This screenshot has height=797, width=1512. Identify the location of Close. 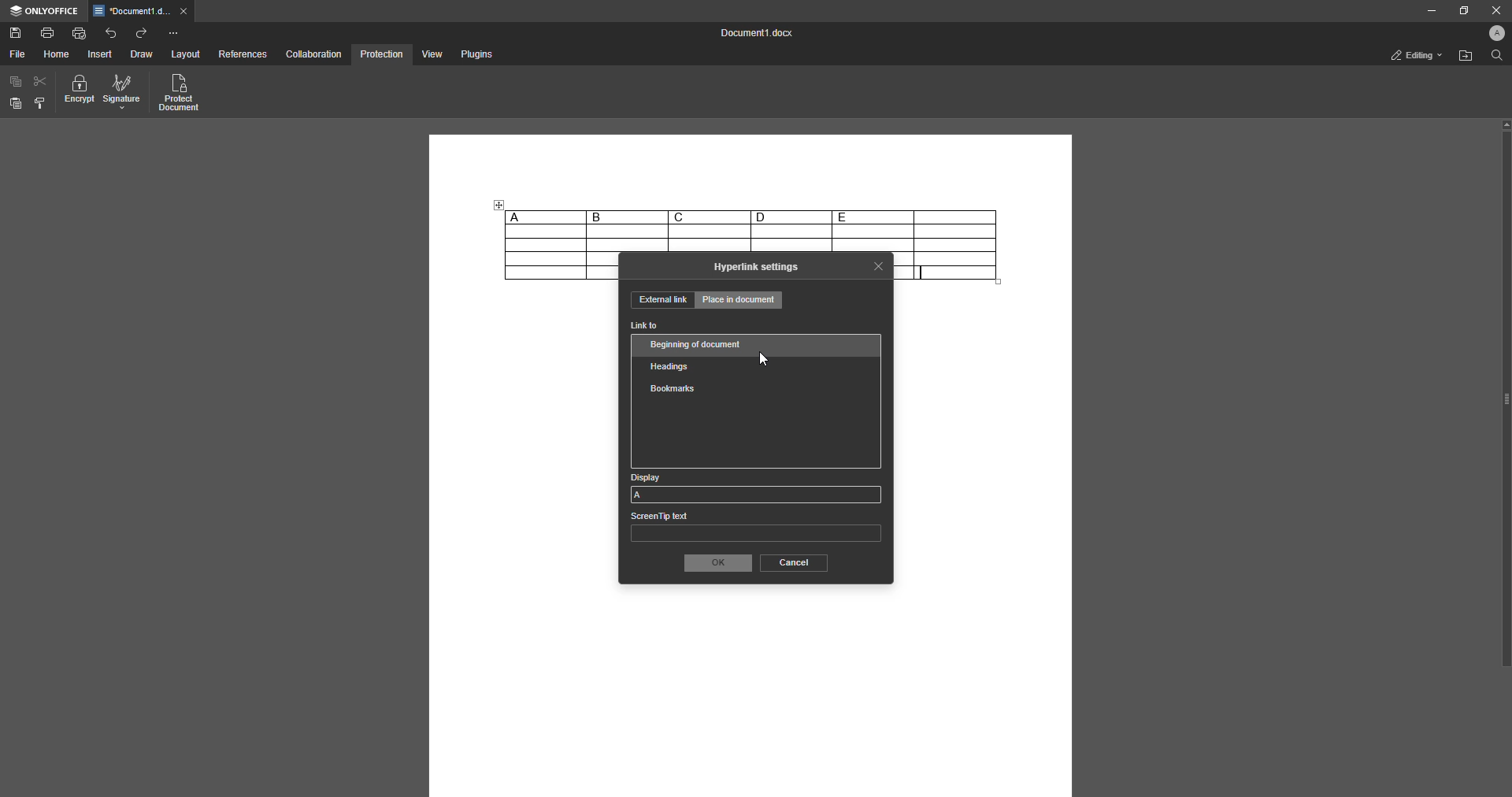
(879, 265).